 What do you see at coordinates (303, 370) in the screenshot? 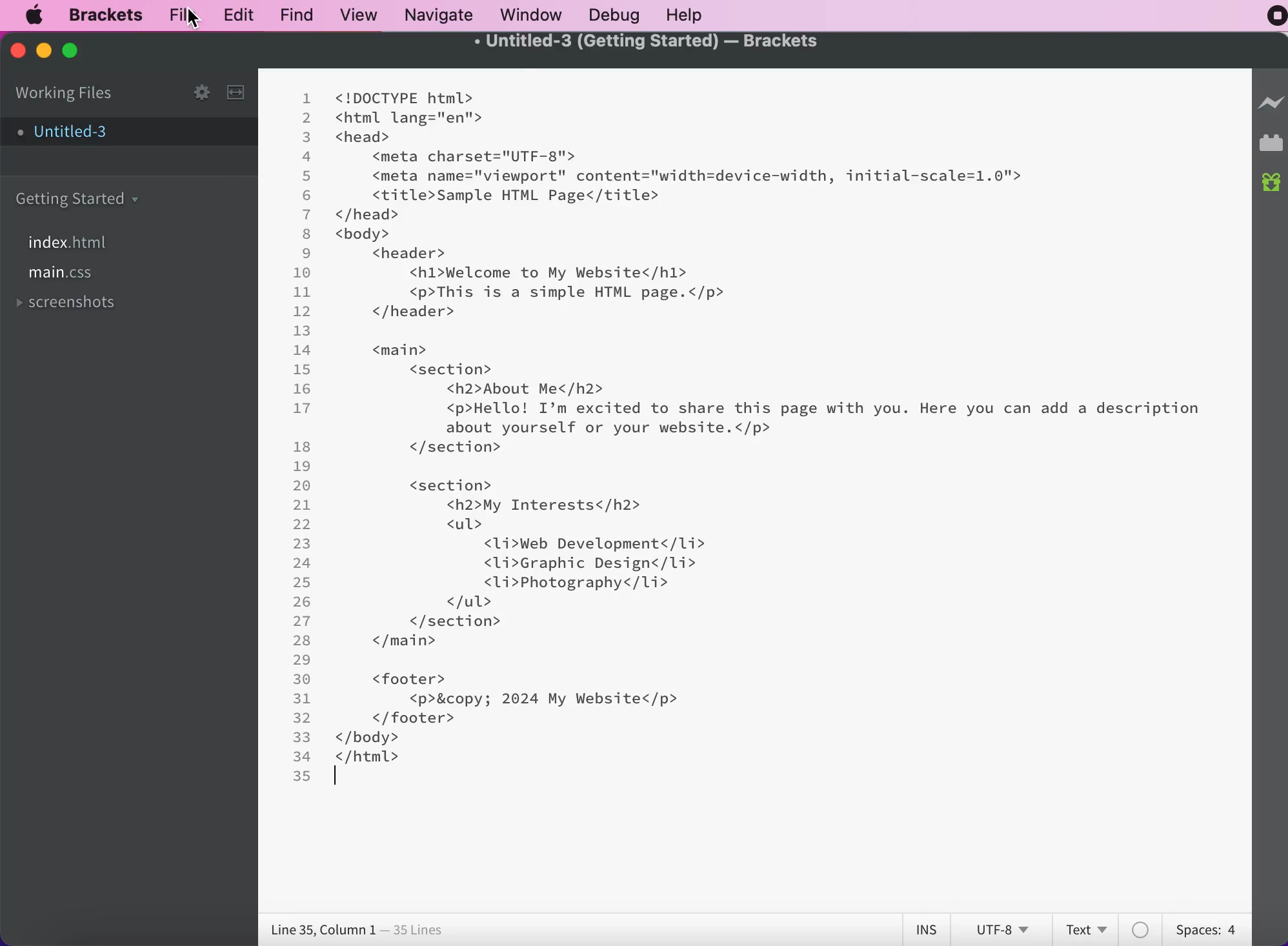
I see `15` at bounding box center [303, 370].